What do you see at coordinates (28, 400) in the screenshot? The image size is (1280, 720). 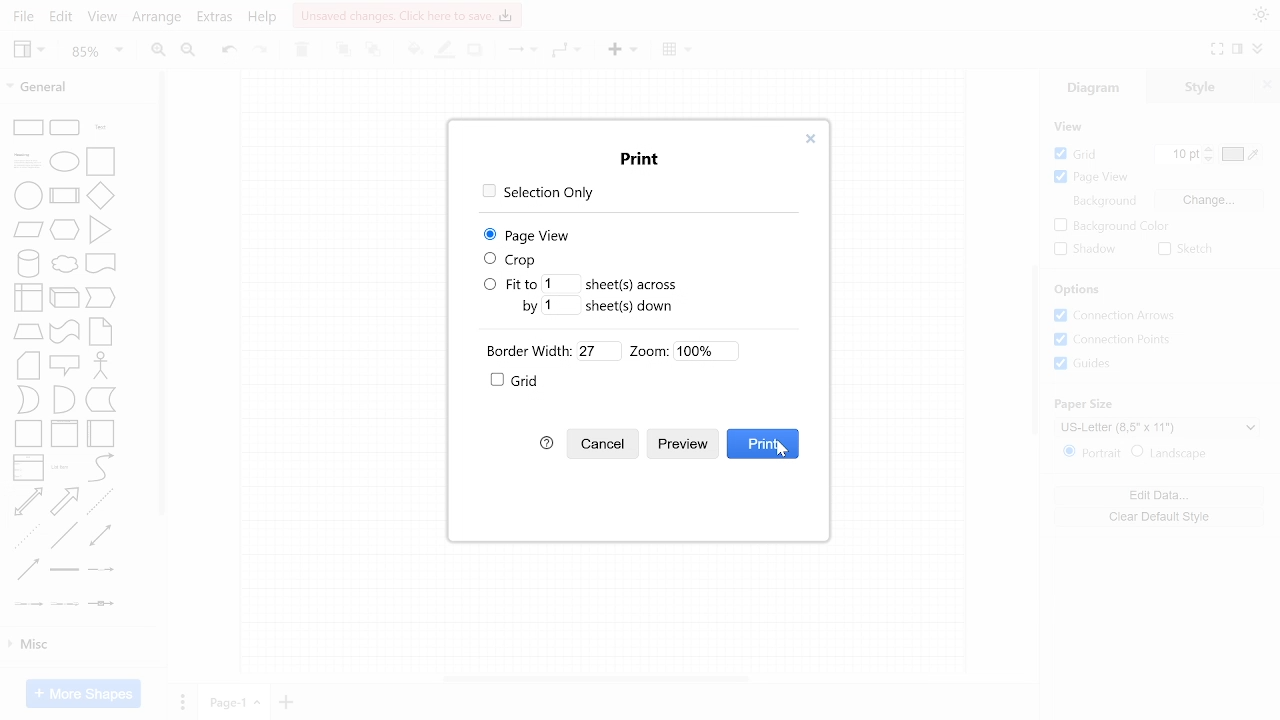 I see `Or` at bounding box center [28, 400].